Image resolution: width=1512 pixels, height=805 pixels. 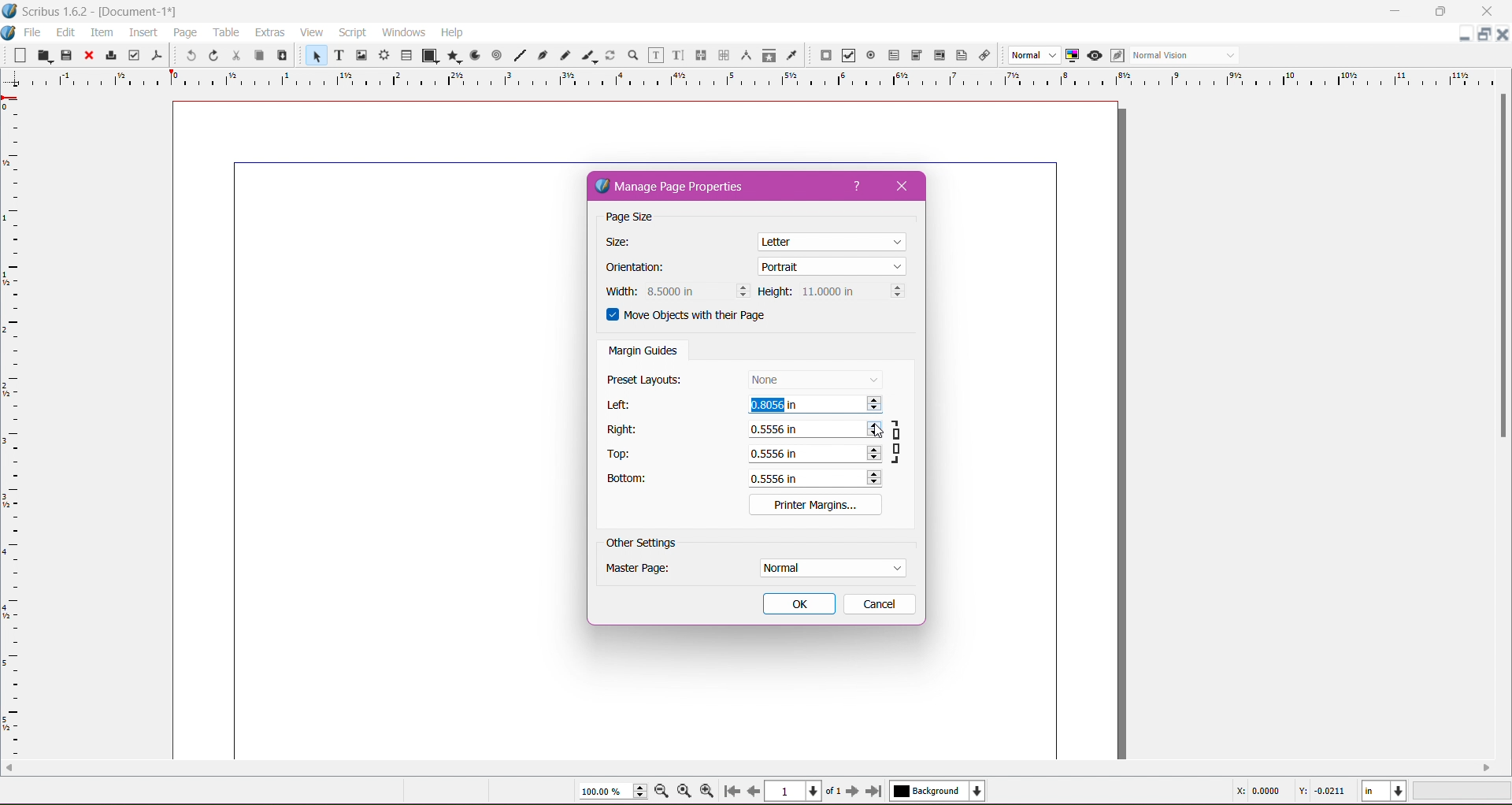 What do you see at coordinates (269, 32) in the screenshot?
I see `Extras` at bounding box center [269, 32].